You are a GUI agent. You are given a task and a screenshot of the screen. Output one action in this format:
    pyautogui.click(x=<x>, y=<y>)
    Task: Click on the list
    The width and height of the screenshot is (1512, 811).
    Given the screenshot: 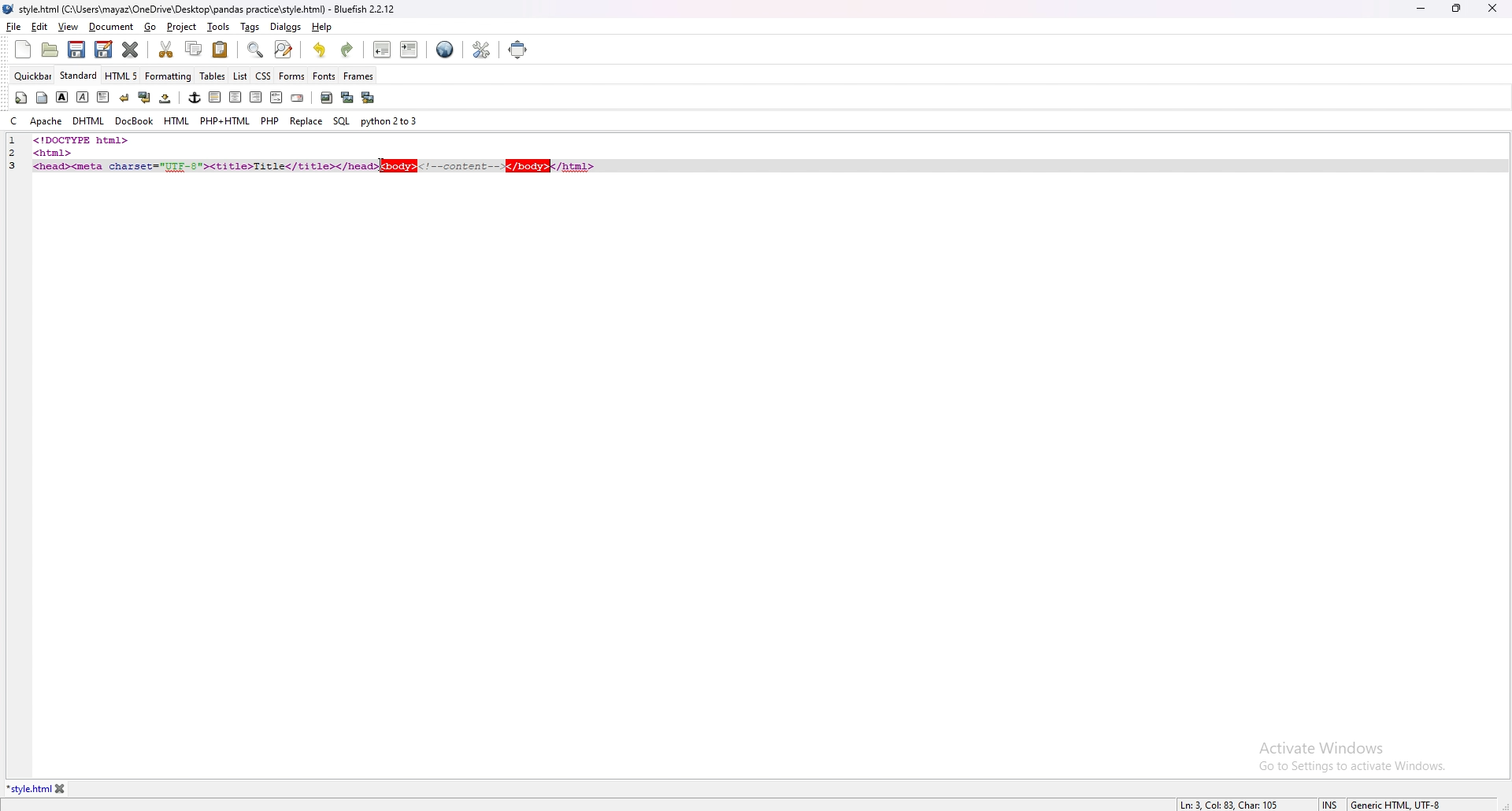 What is the action you would take?
    pyautogui.click(x=240, y=75)
    